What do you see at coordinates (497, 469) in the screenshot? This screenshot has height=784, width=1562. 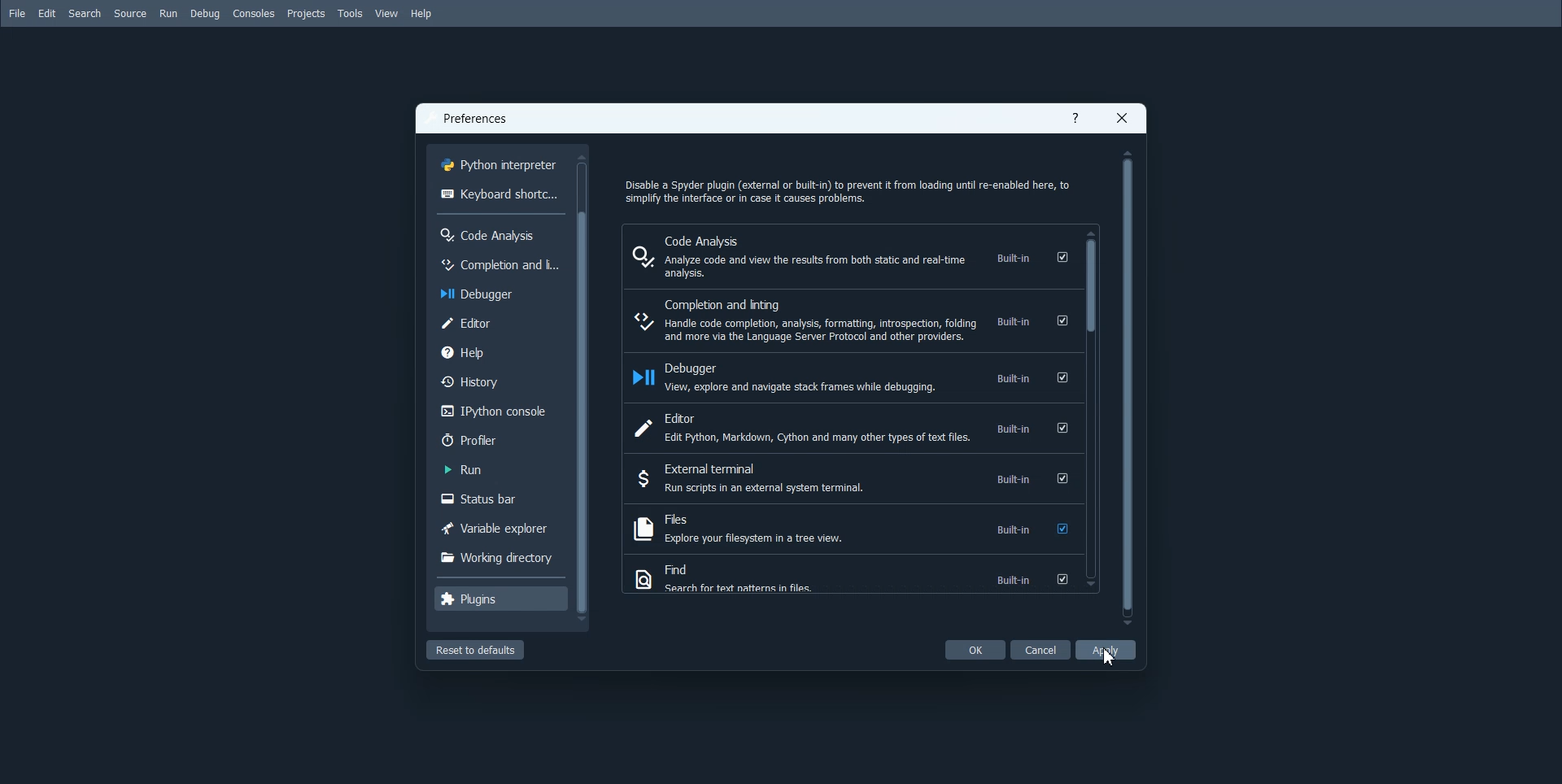 I see `Run` at bounding box center [497, 469].